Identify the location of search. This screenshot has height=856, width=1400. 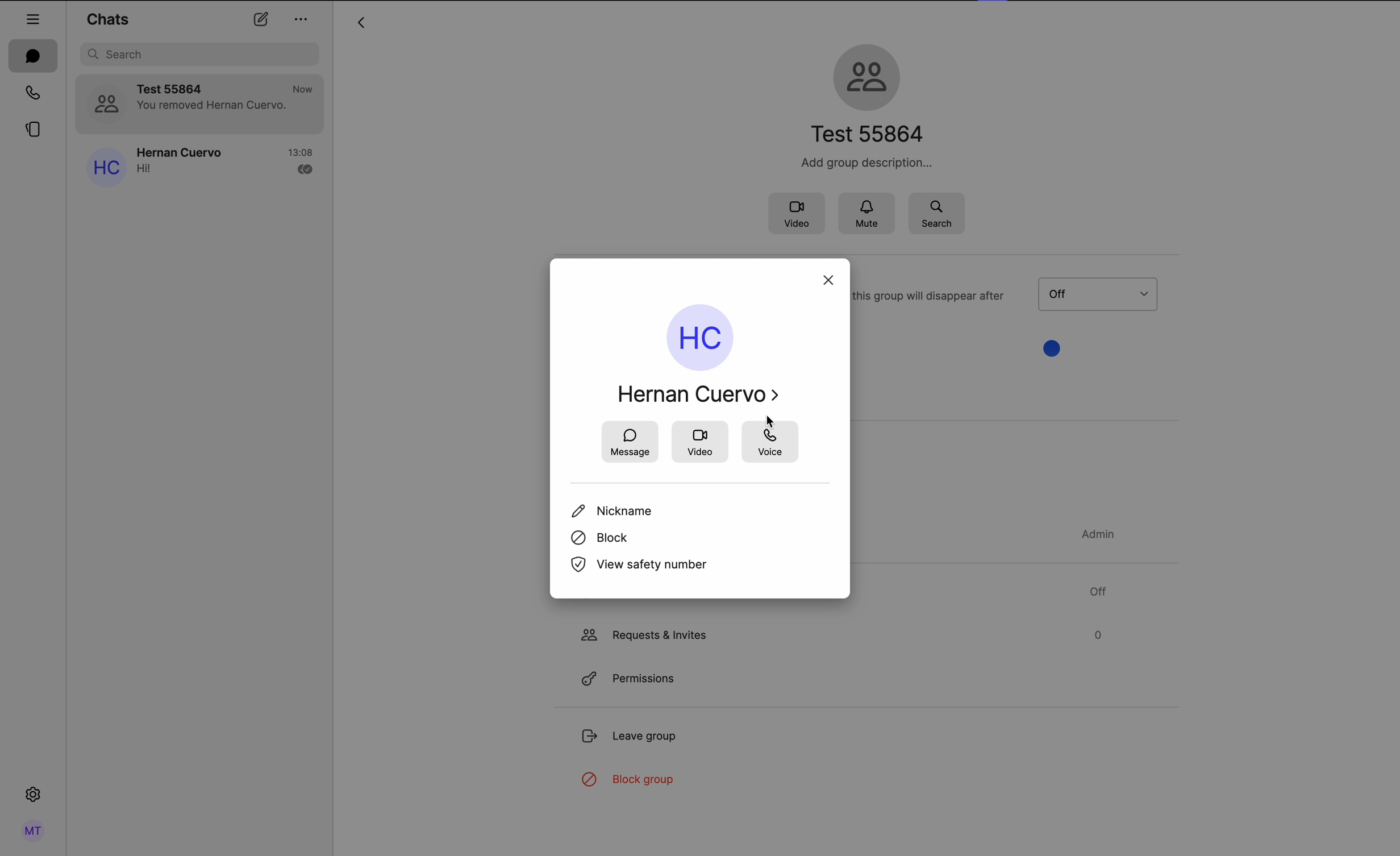
(936, 213).